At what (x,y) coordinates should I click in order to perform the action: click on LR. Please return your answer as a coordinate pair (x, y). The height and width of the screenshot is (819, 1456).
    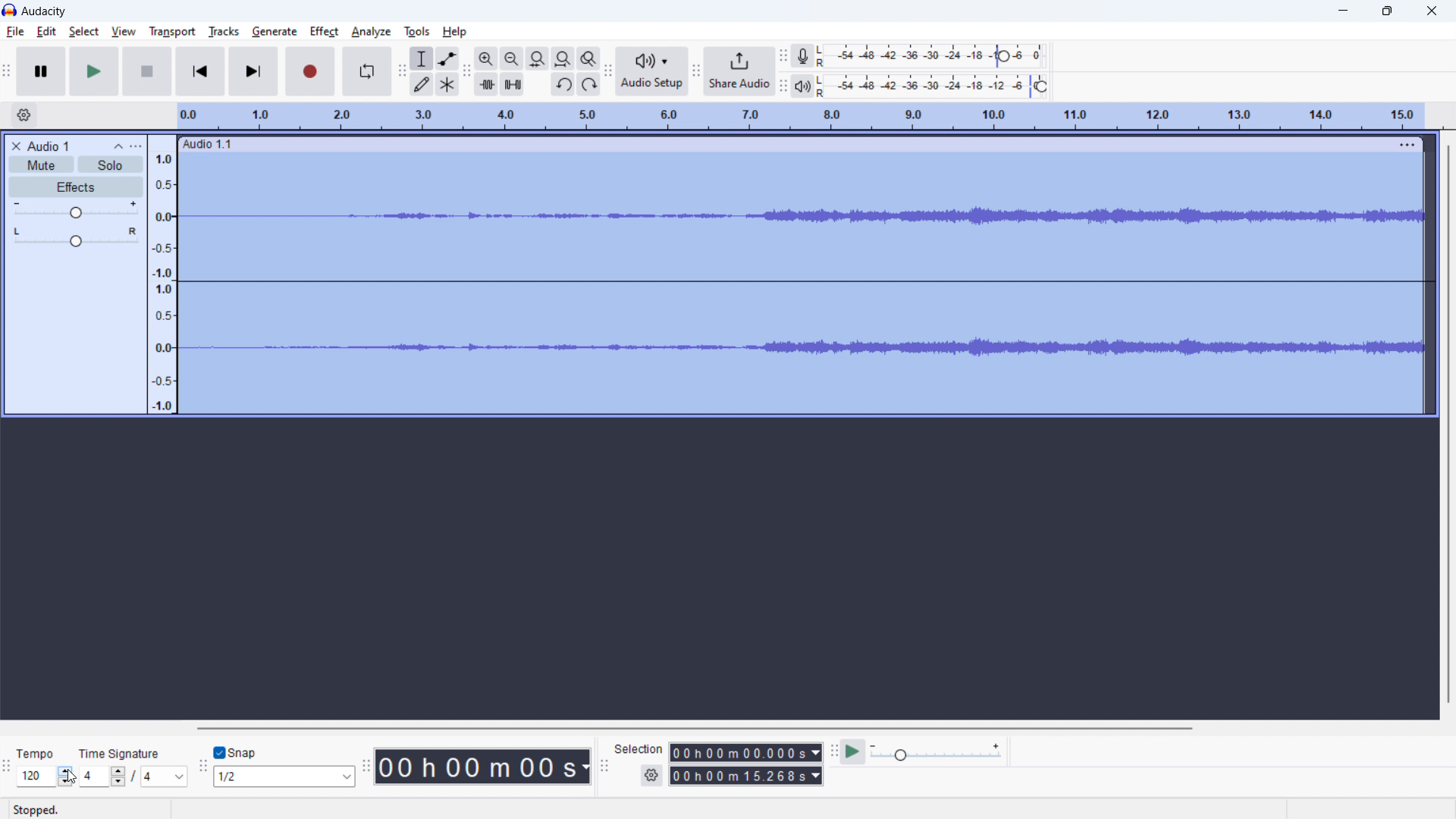
    Looking at the image, I should click on (822, 83).